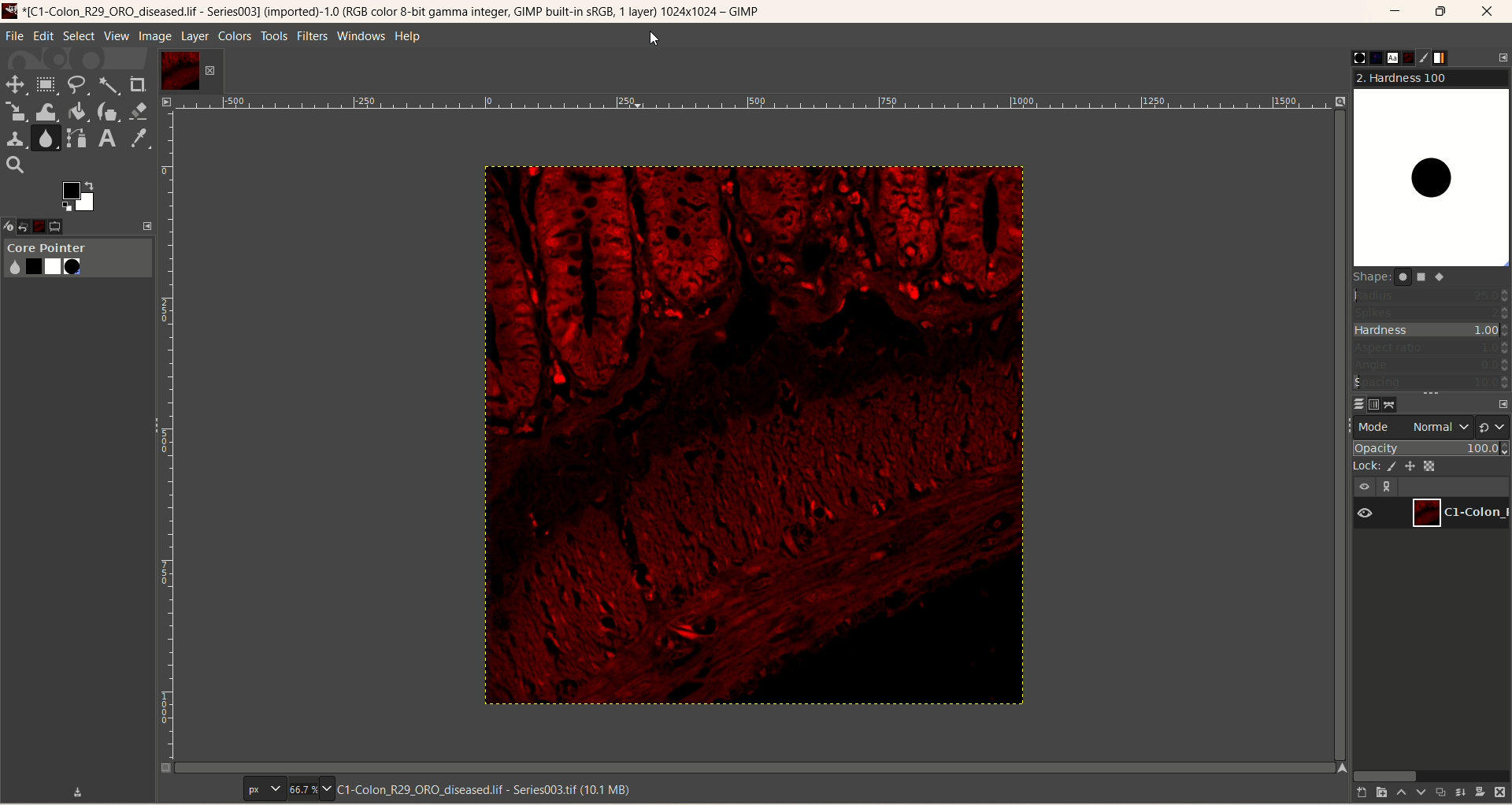 The width and height of the screenshot is (1512, 805). I want to click on create a new layer, so click(1377, 792).